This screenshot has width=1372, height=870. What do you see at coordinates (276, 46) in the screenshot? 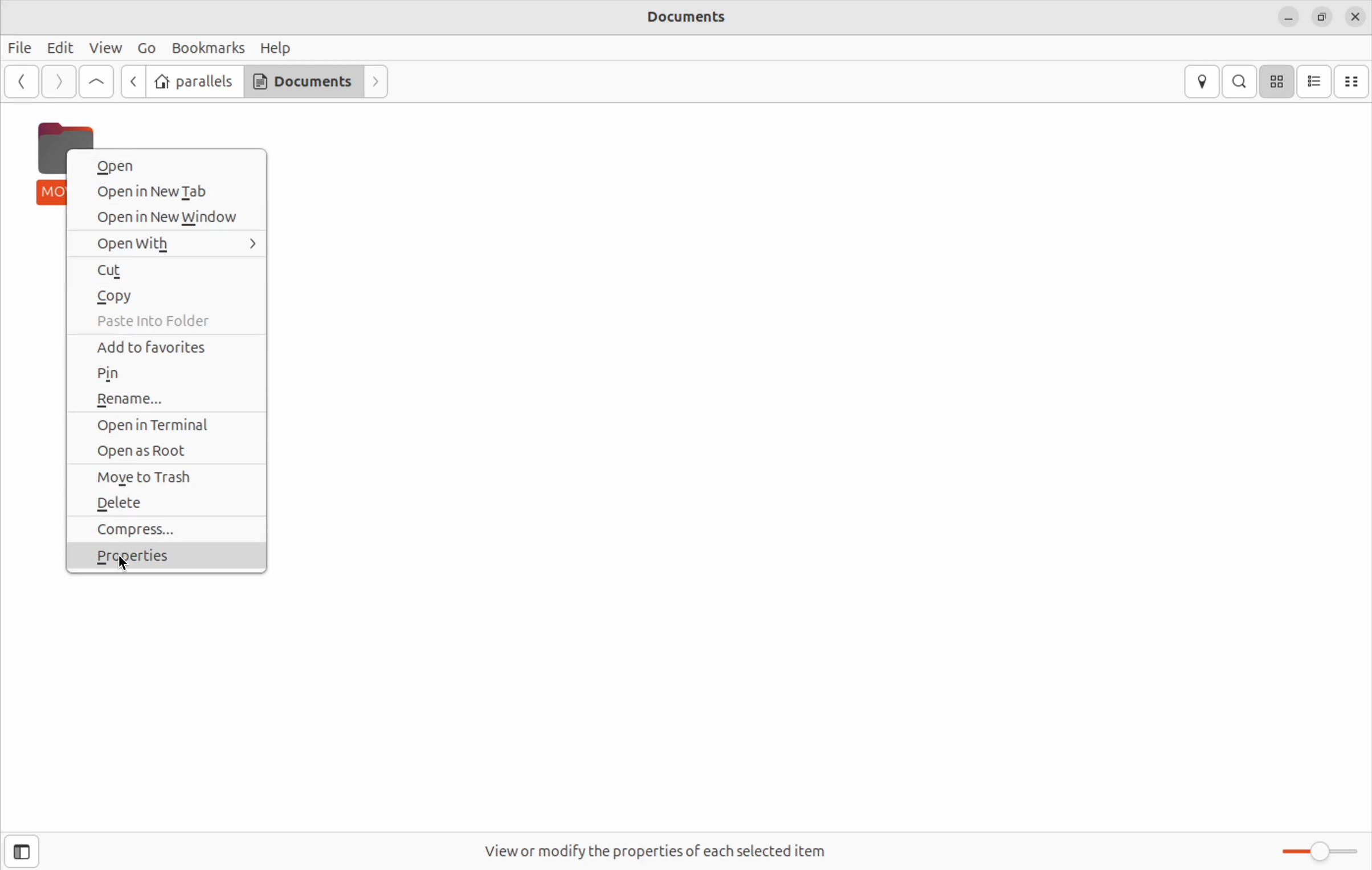
I see `Help` at bounding box center [276, 46].